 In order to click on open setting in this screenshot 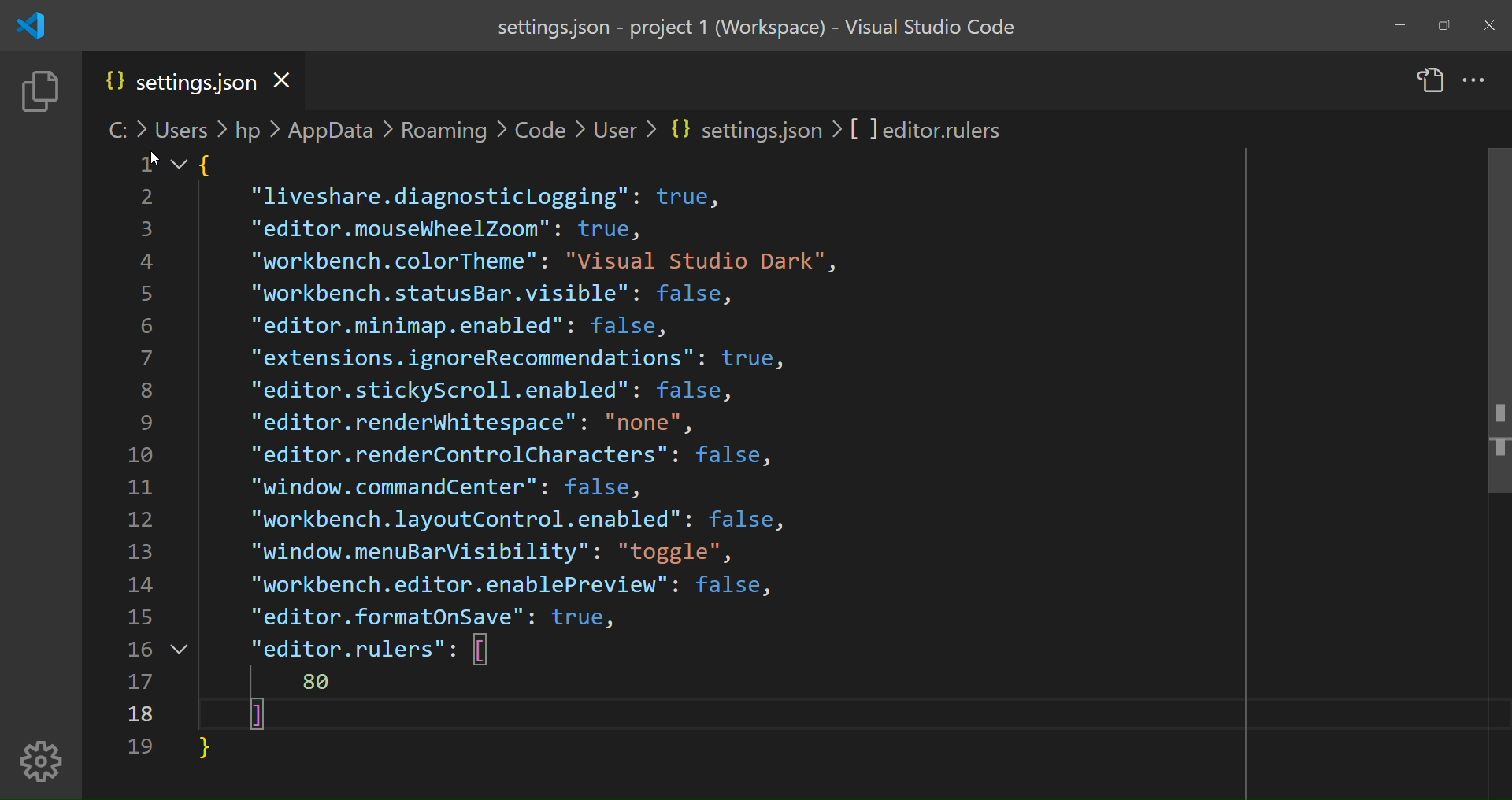, I will do `click(1430, 82)`.